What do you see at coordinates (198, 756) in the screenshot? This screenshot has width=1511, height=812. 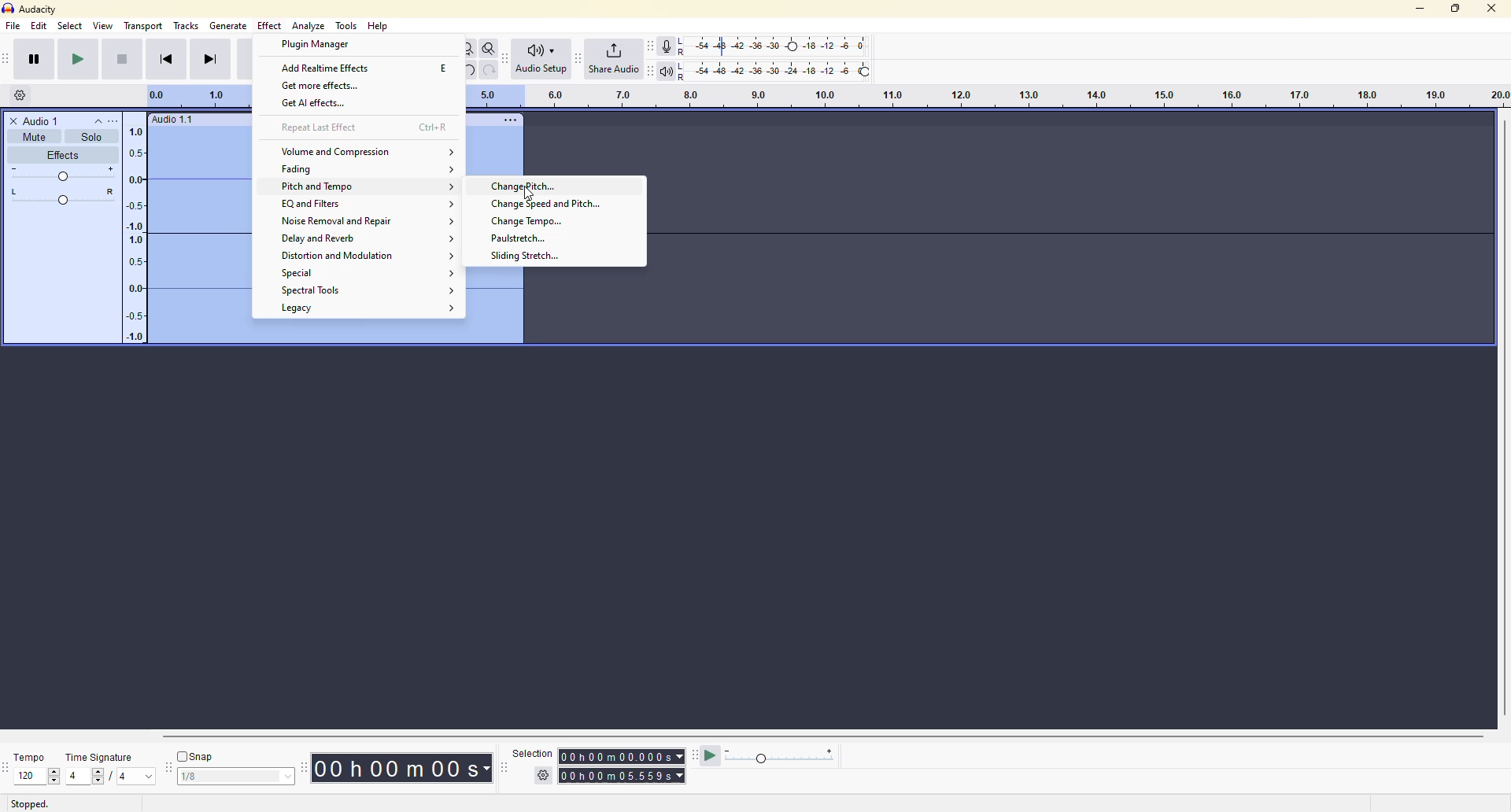 I see `snap` at bounding box center [198, 756].